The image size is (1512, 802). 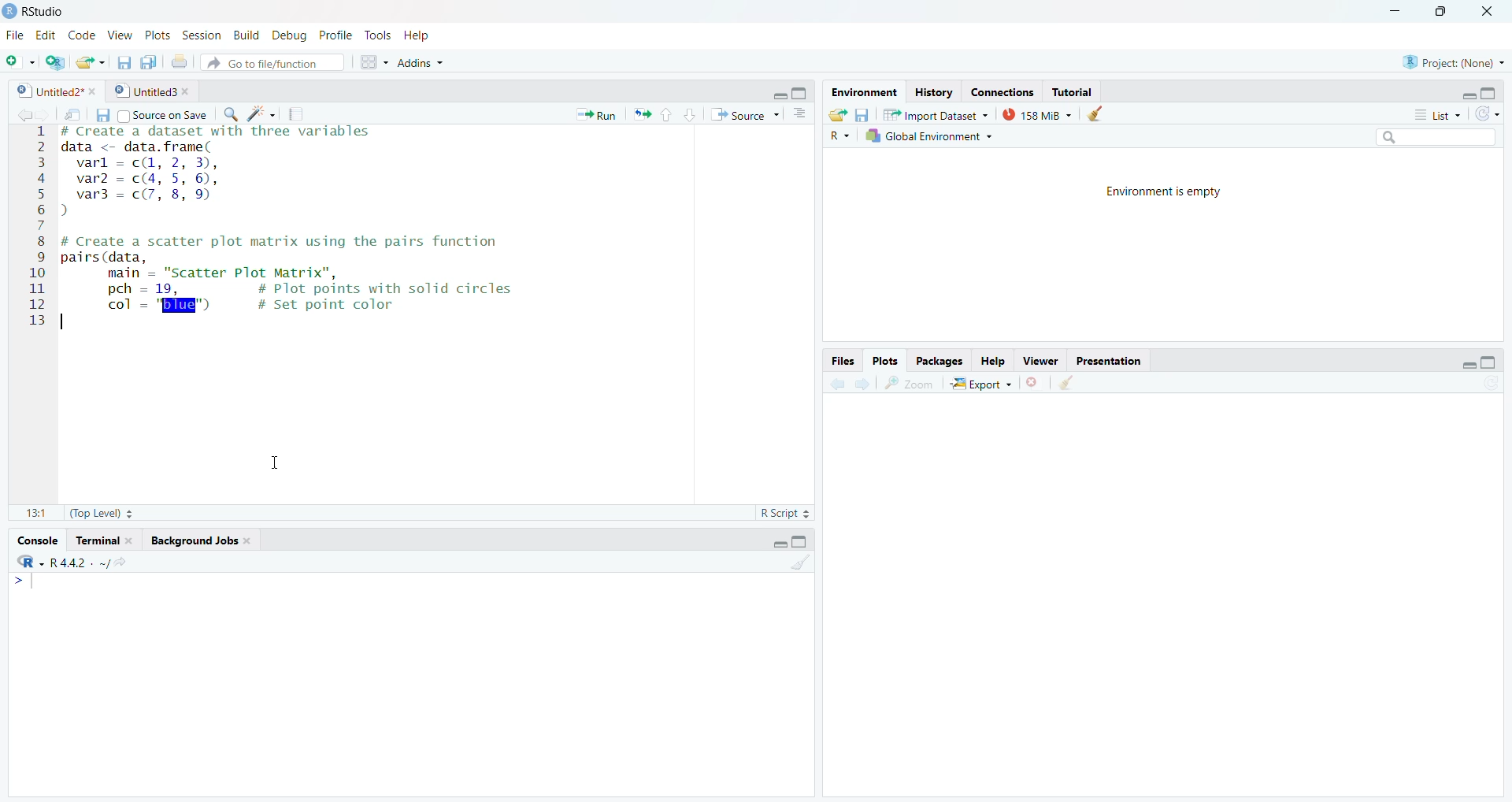 What do you see at coordinates (837, 113) in the screenshot?
I see `Load workspace` at bounding box center [837, 113].